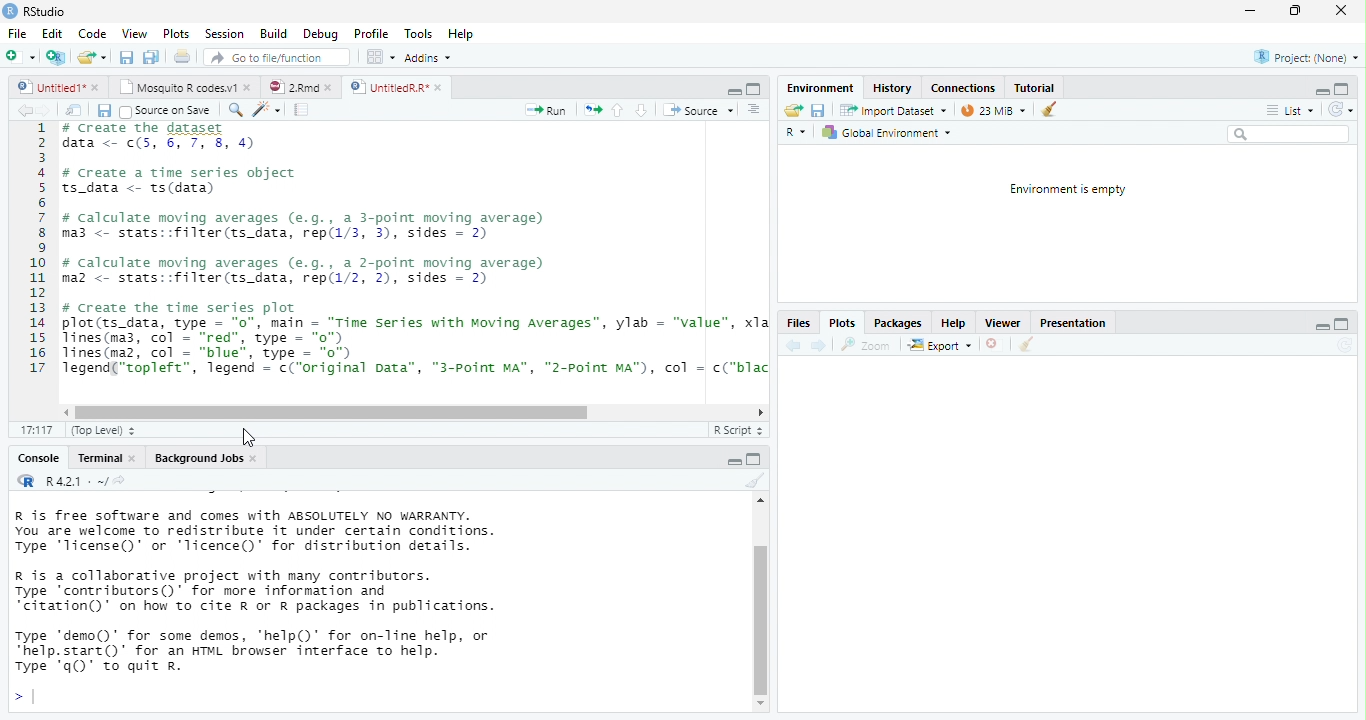  What do you see at coordinates (233, 110) in the screenshot?
I see `search` at bounding box center [233, 110].